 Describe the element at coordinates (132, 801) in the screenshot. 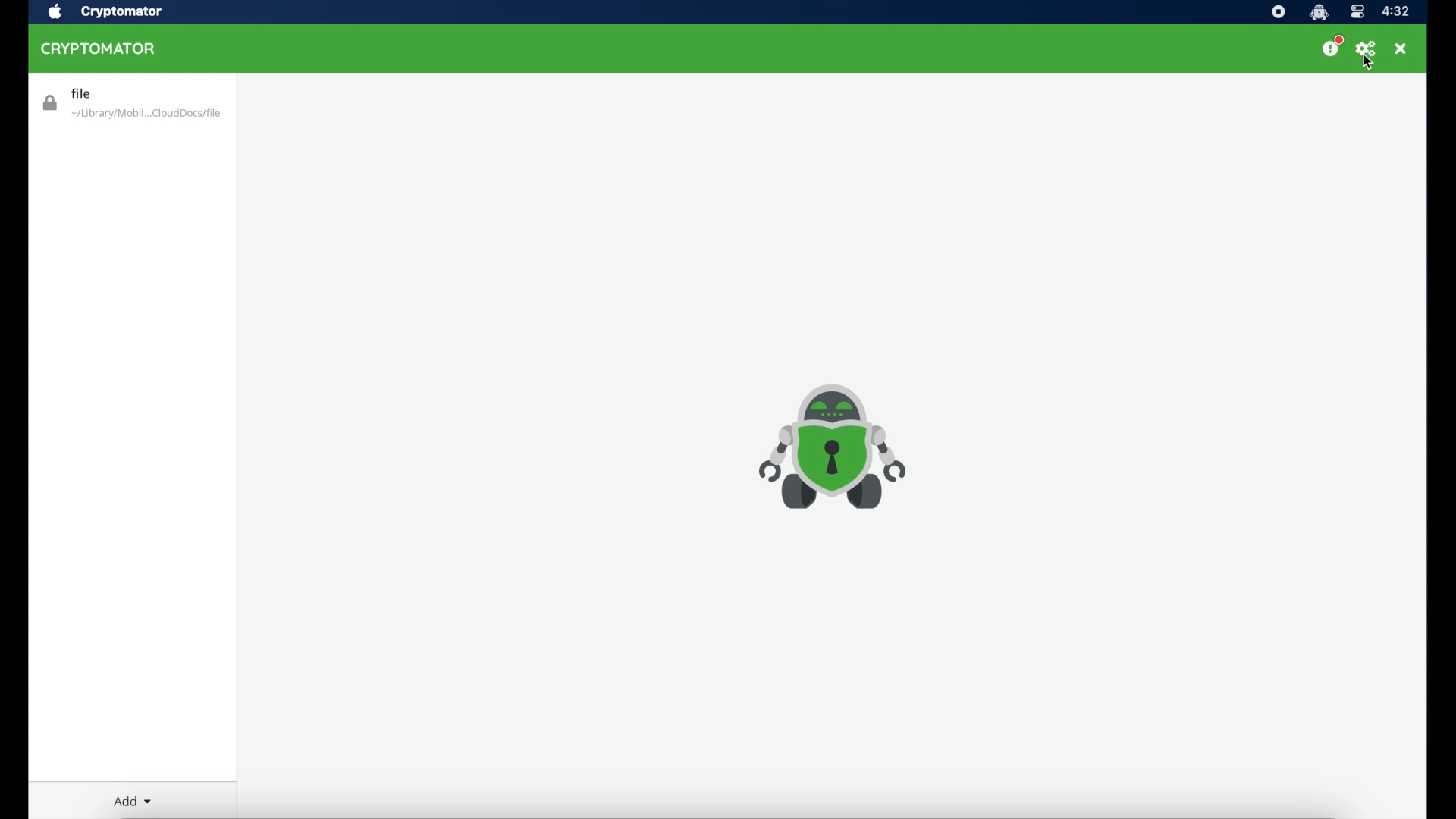

I see `add dropdown` at that location.